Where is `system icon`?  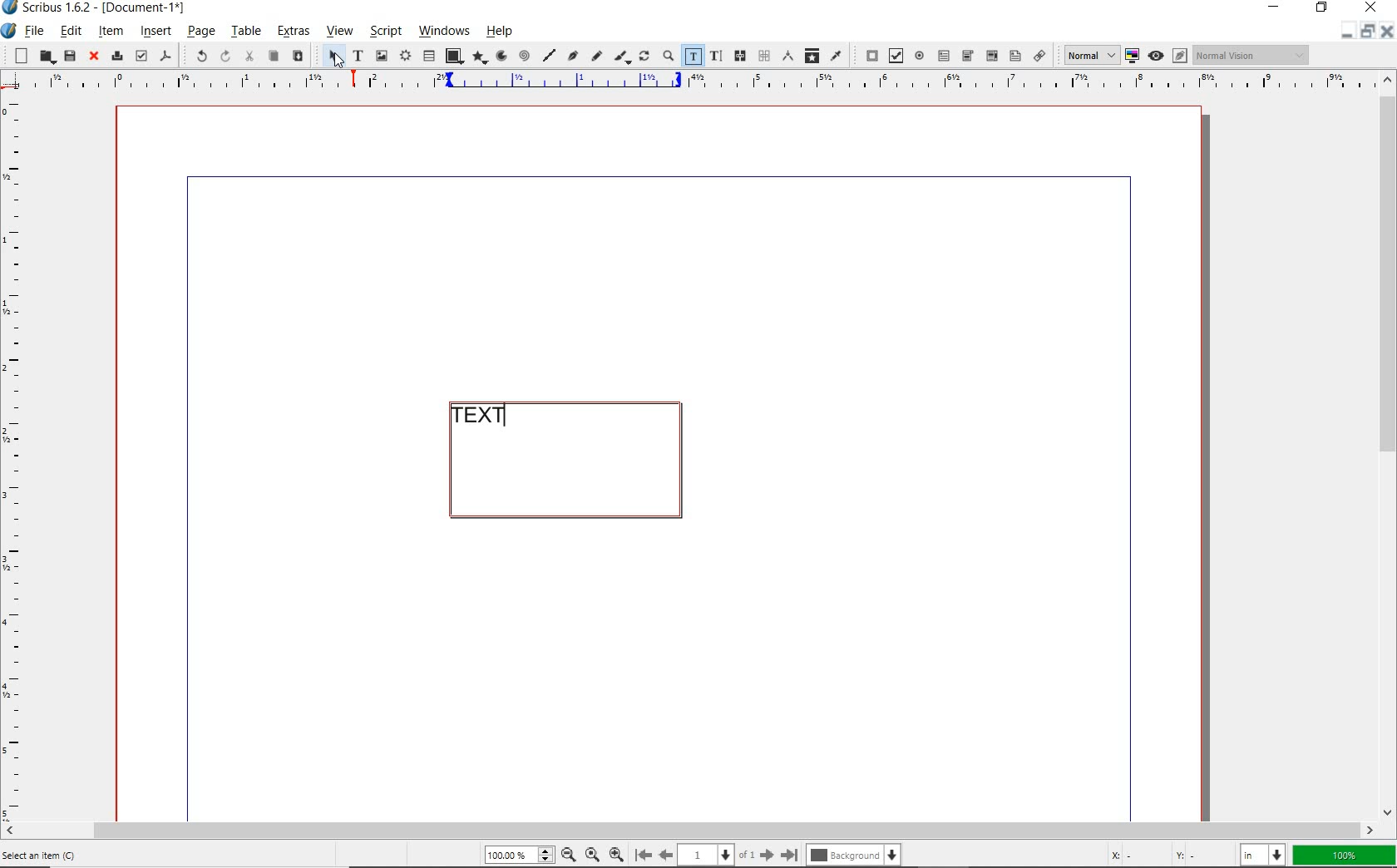
system icon is located at coordinates (7, 31).